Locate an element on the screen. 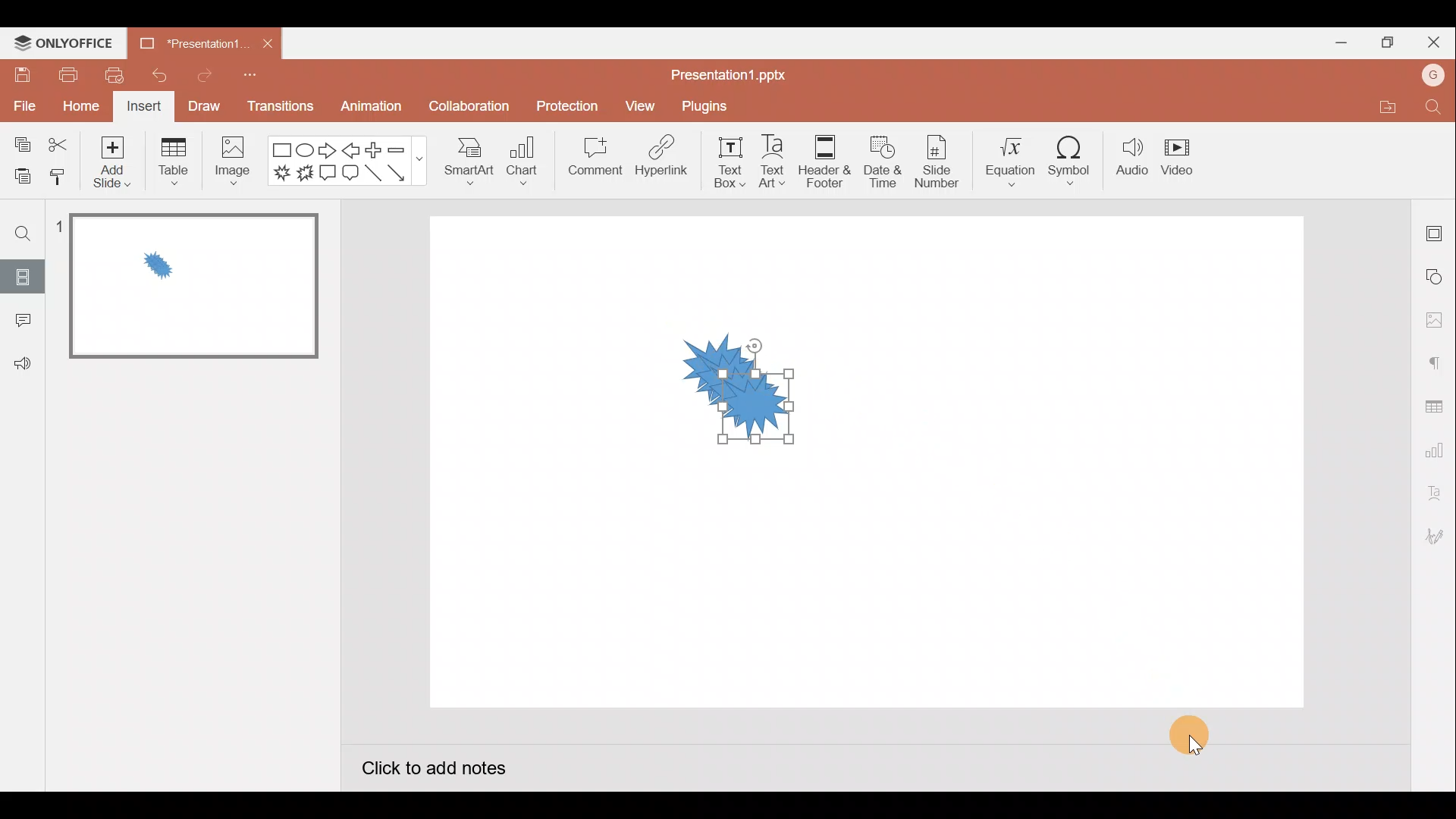 The width and height of the screenshot is (1456, 819). Table settings is located at coordinates (1437, 403).